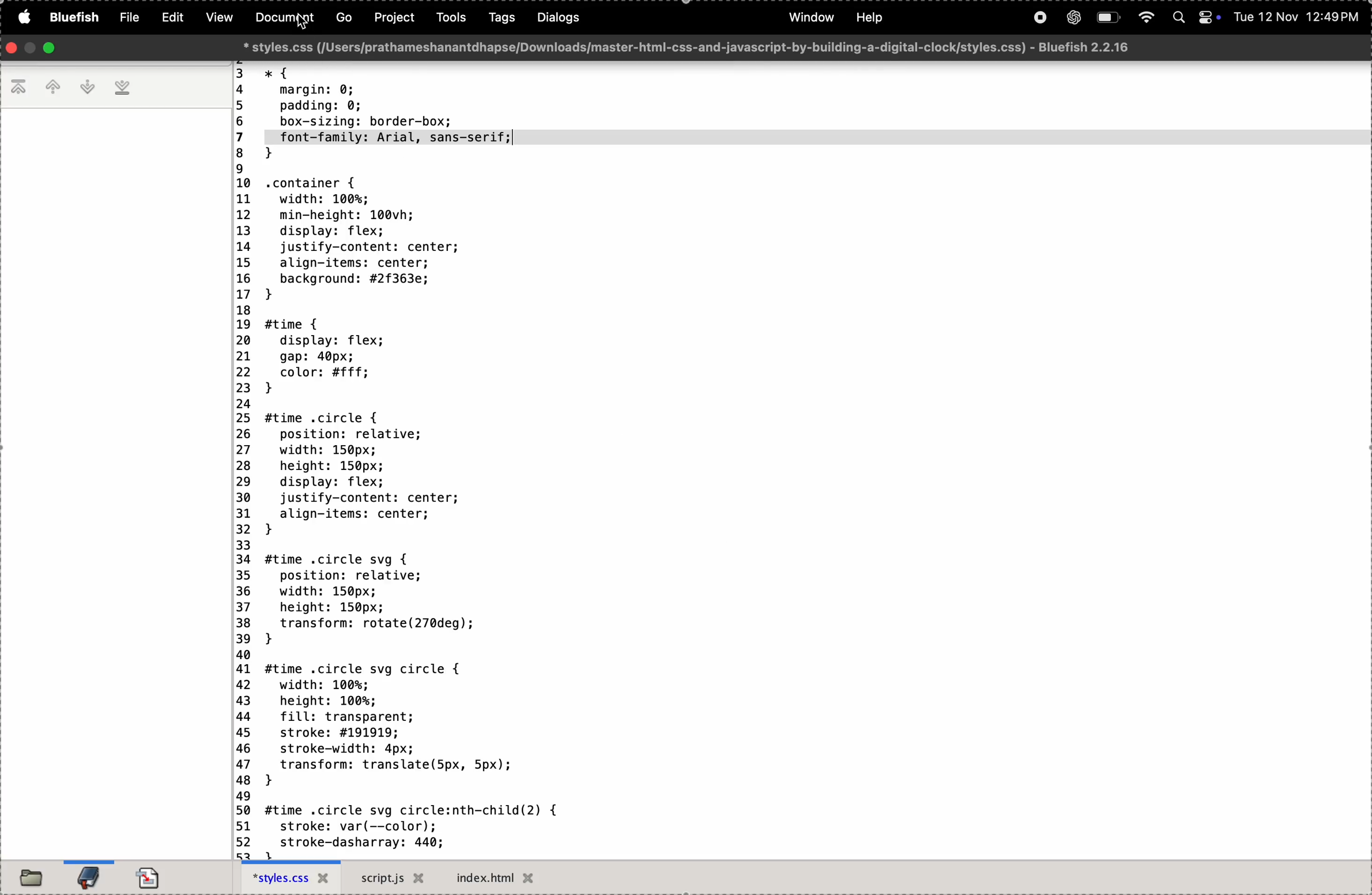 Image resolution: width=1372 pixels, height=895 pixels. What do you see at coordinates (392, 878) in the screenshot?
I see `script.js` at bounding box center [392, 878].